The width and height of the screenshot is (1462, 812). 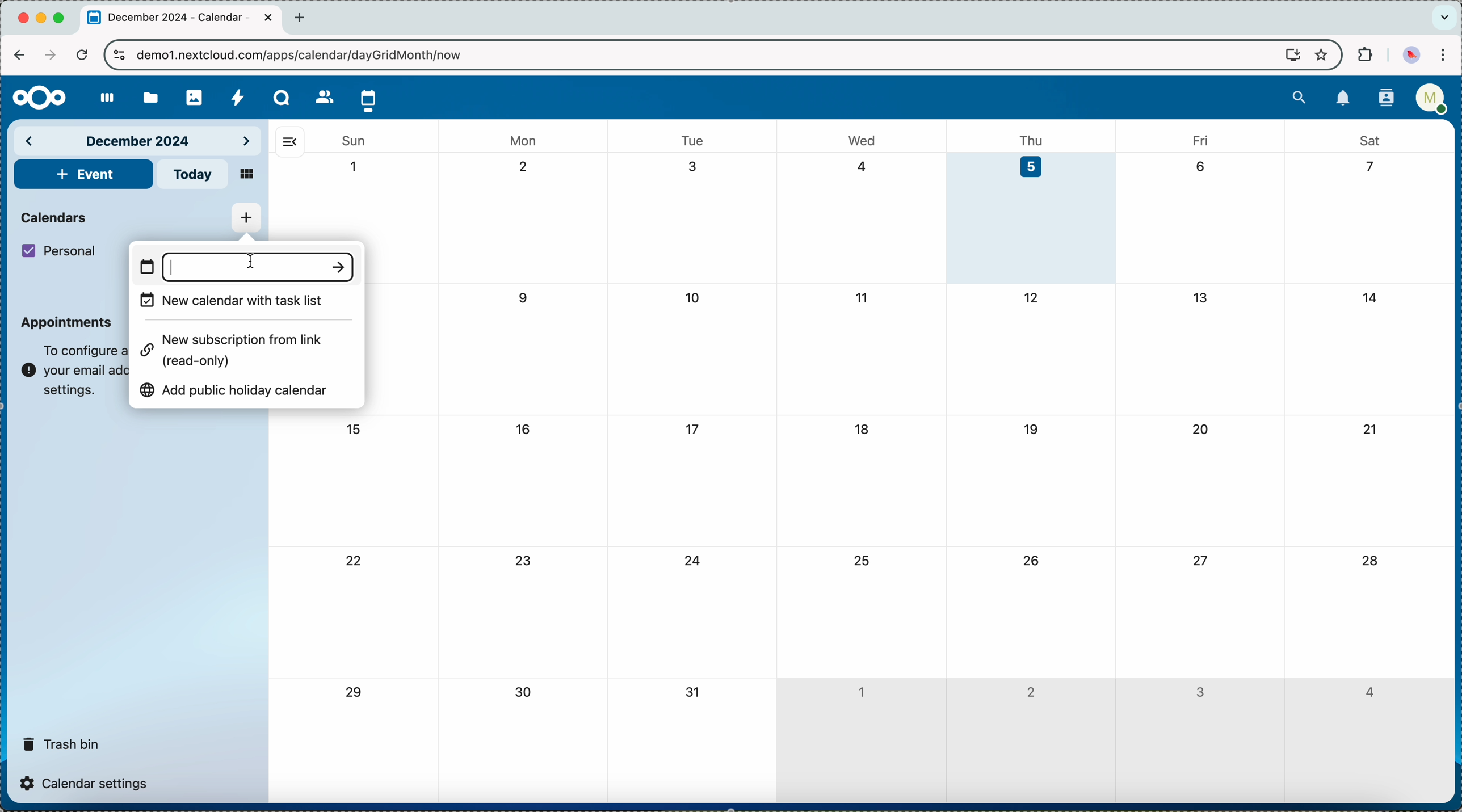 What do you see at coordinates (523, 428) in the screenshot?
I see `16` at bounding box center [523, 428].